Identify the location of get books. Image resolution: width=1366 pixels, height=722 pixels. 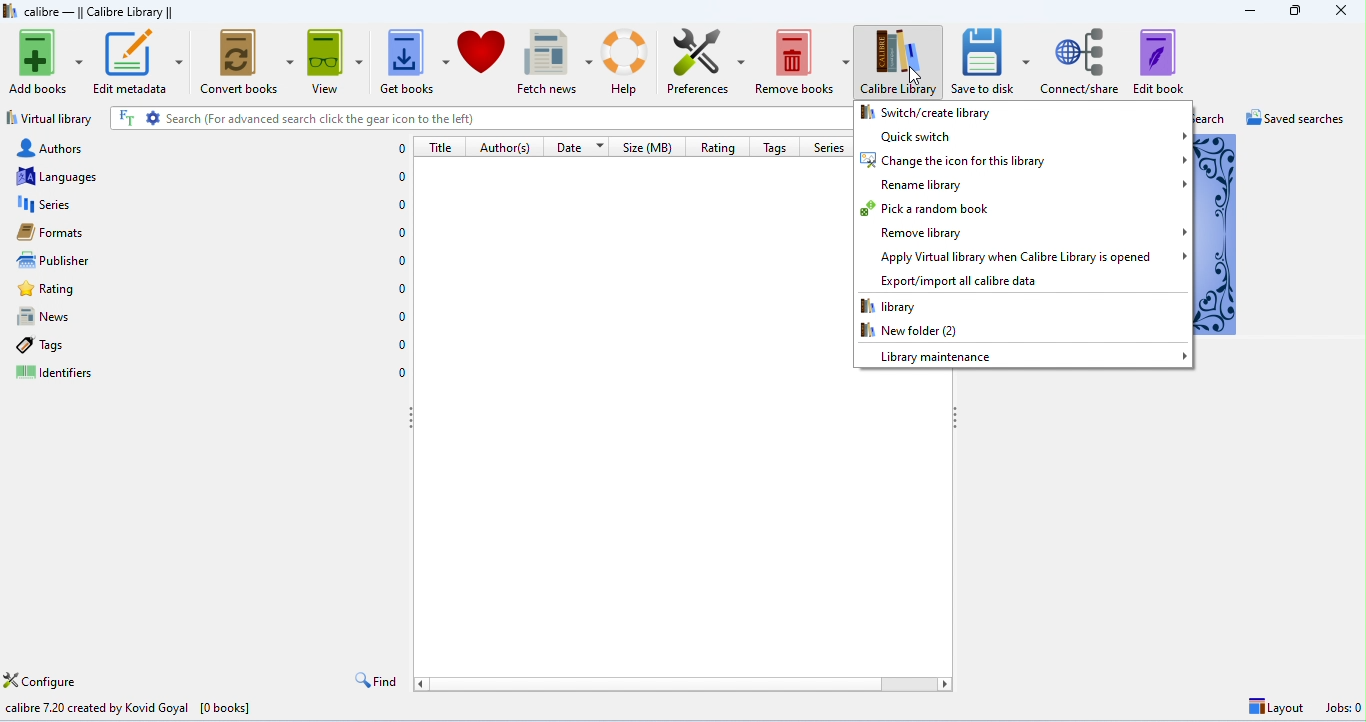
(415, 61).